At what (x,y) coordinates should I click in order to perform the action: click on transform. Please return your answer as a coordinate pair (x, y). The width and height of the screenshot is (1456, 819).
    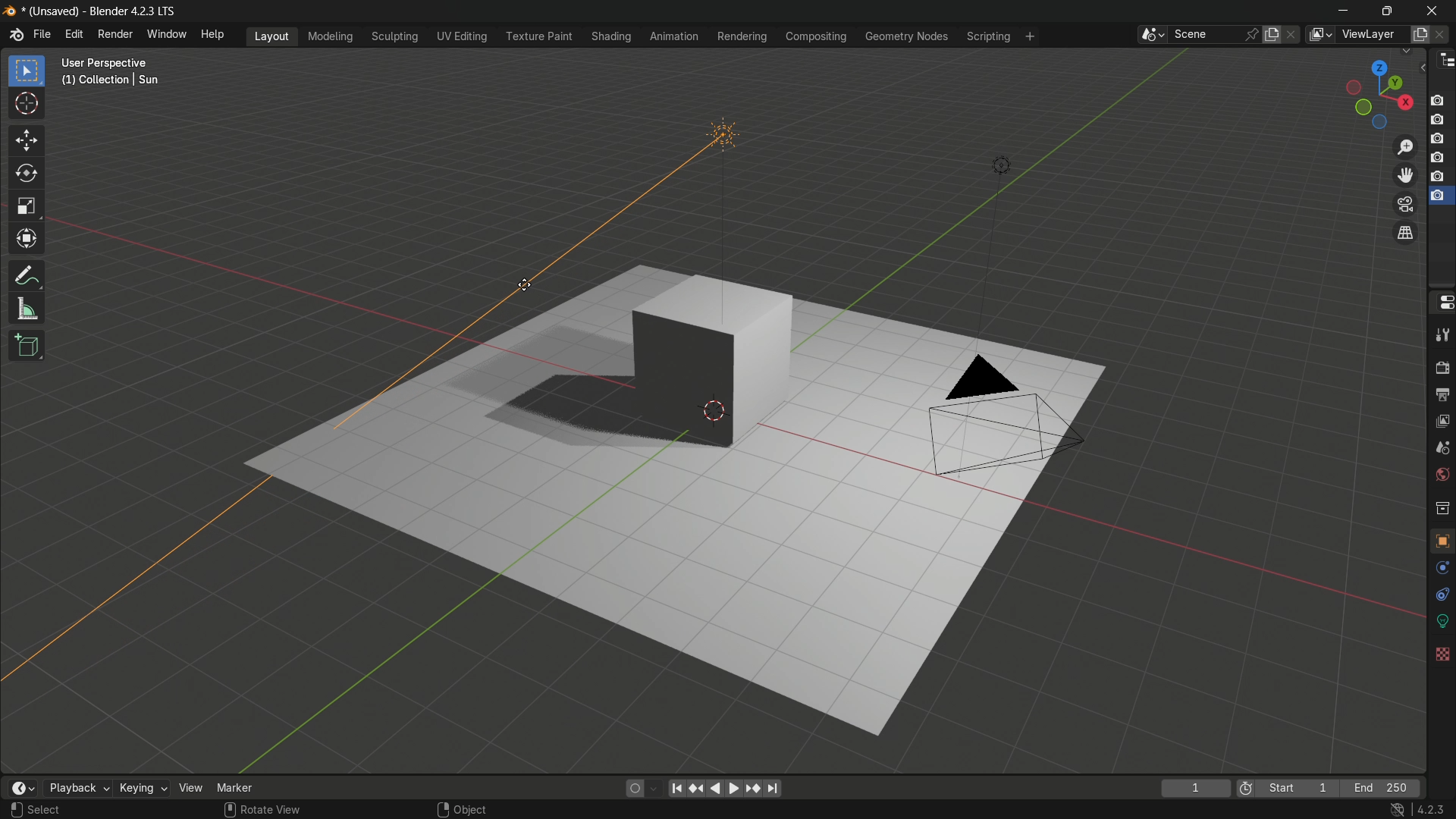
    Looking at the image, I should click on (29, 241).